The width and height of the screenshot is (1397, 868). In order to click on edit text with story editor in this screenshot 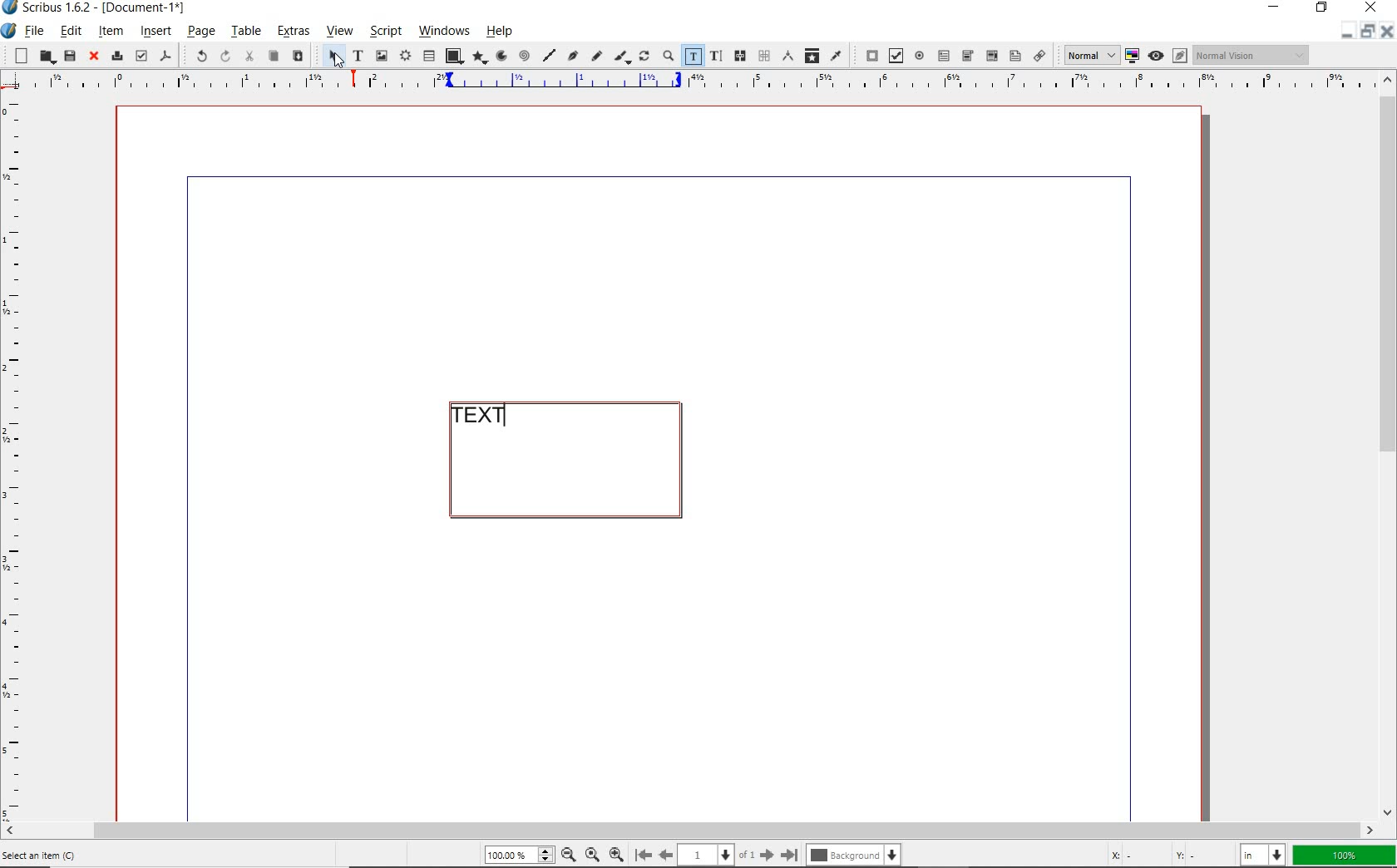, I will do `click(715, 57)`.